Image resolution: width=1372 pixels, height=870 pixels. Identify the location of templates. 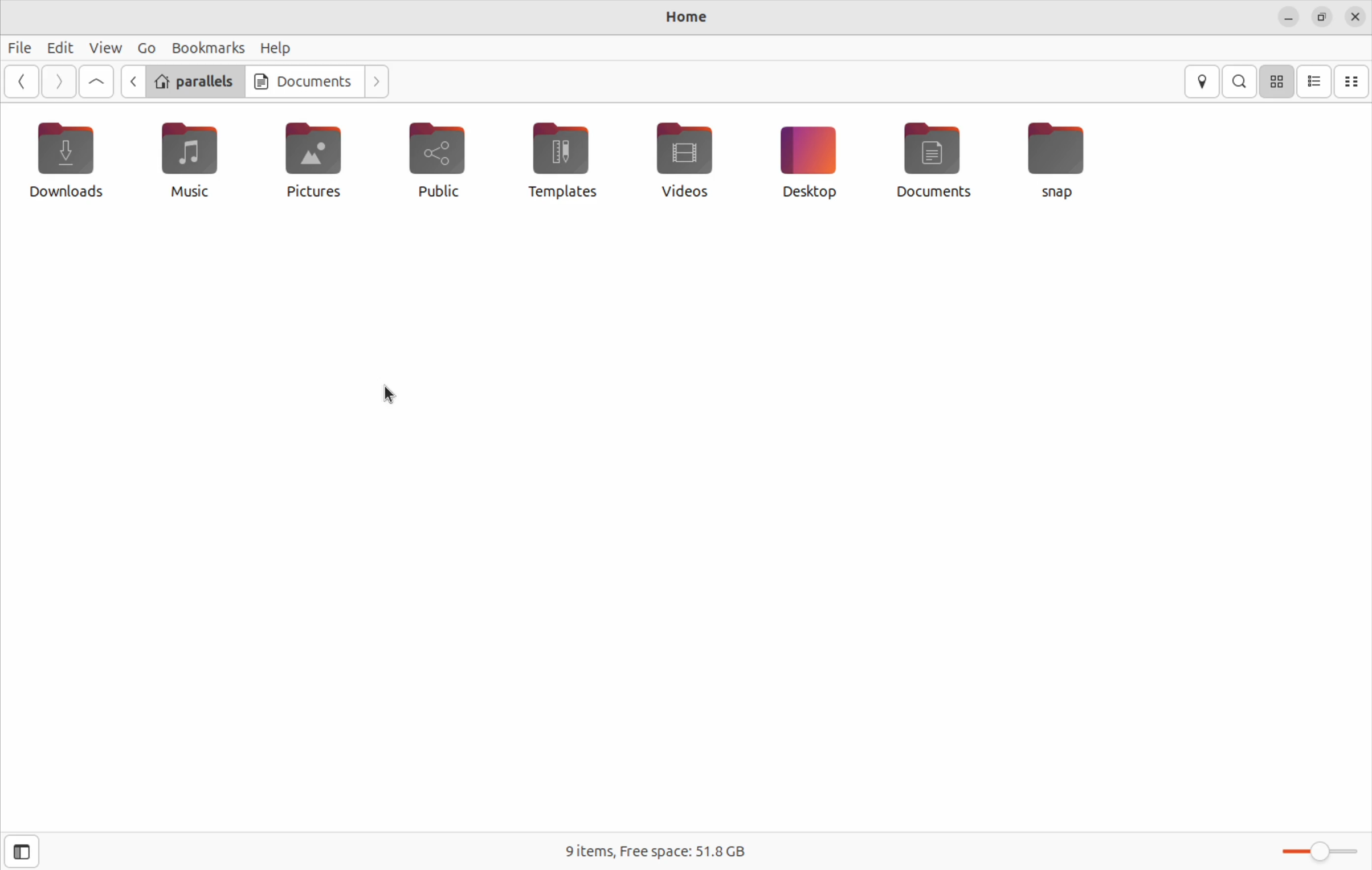
(566, 161).